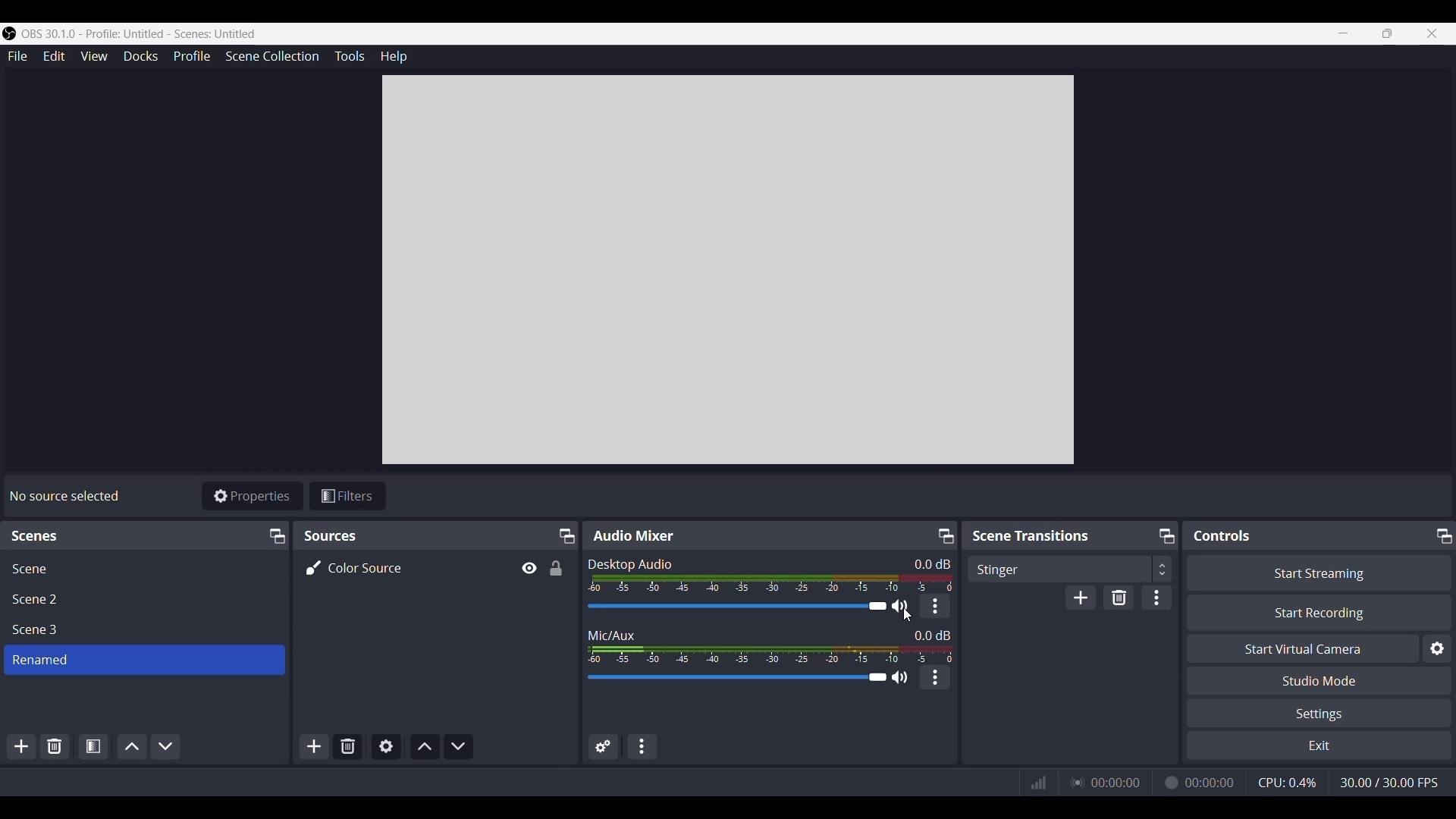 This screenshot has height=819, width=1456. What do you see at coordinates (604, 746) in the screenshot?
I see `Advanced audio properties` at bounding box center [604, 746].